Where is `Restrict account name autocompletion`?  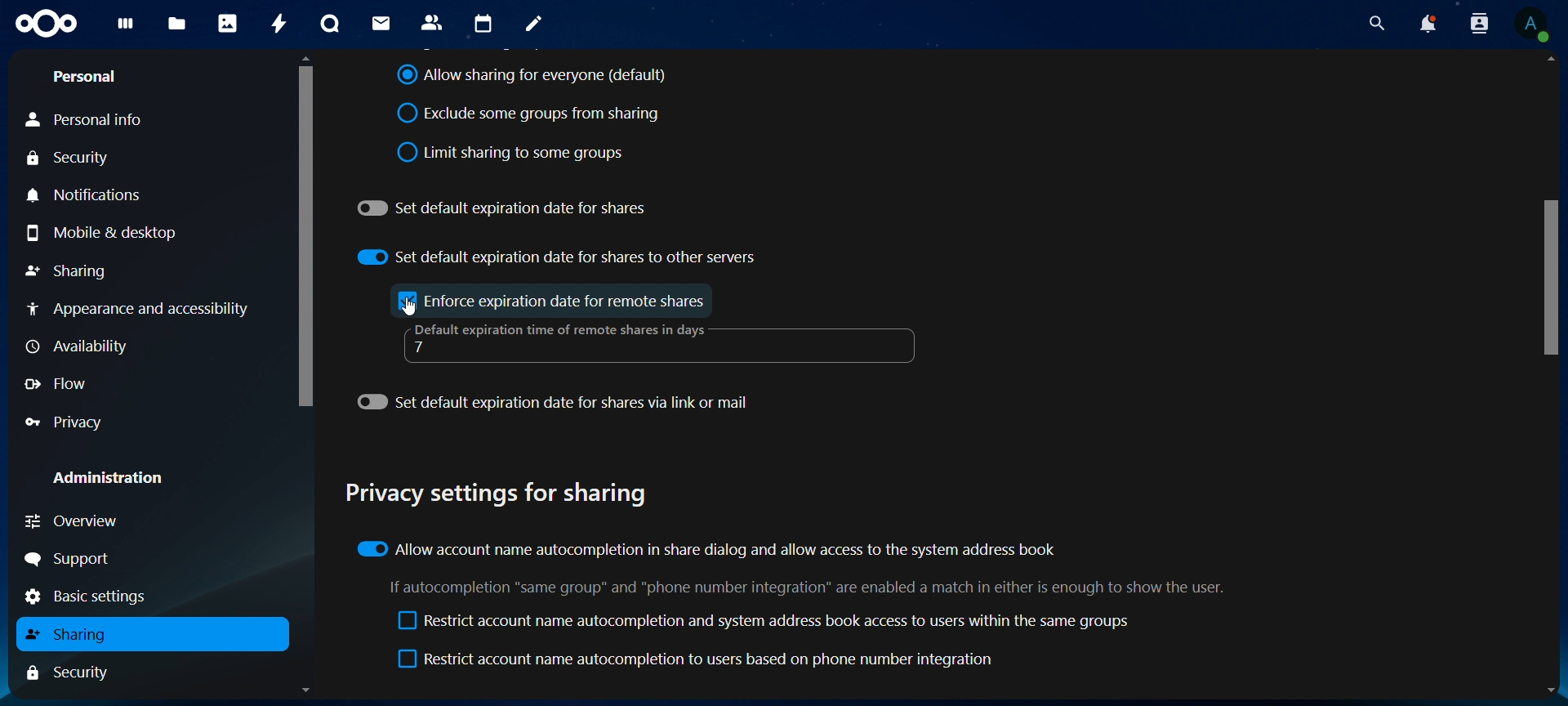
Restrict account name autocompletion is located at coordinates (759, 621).